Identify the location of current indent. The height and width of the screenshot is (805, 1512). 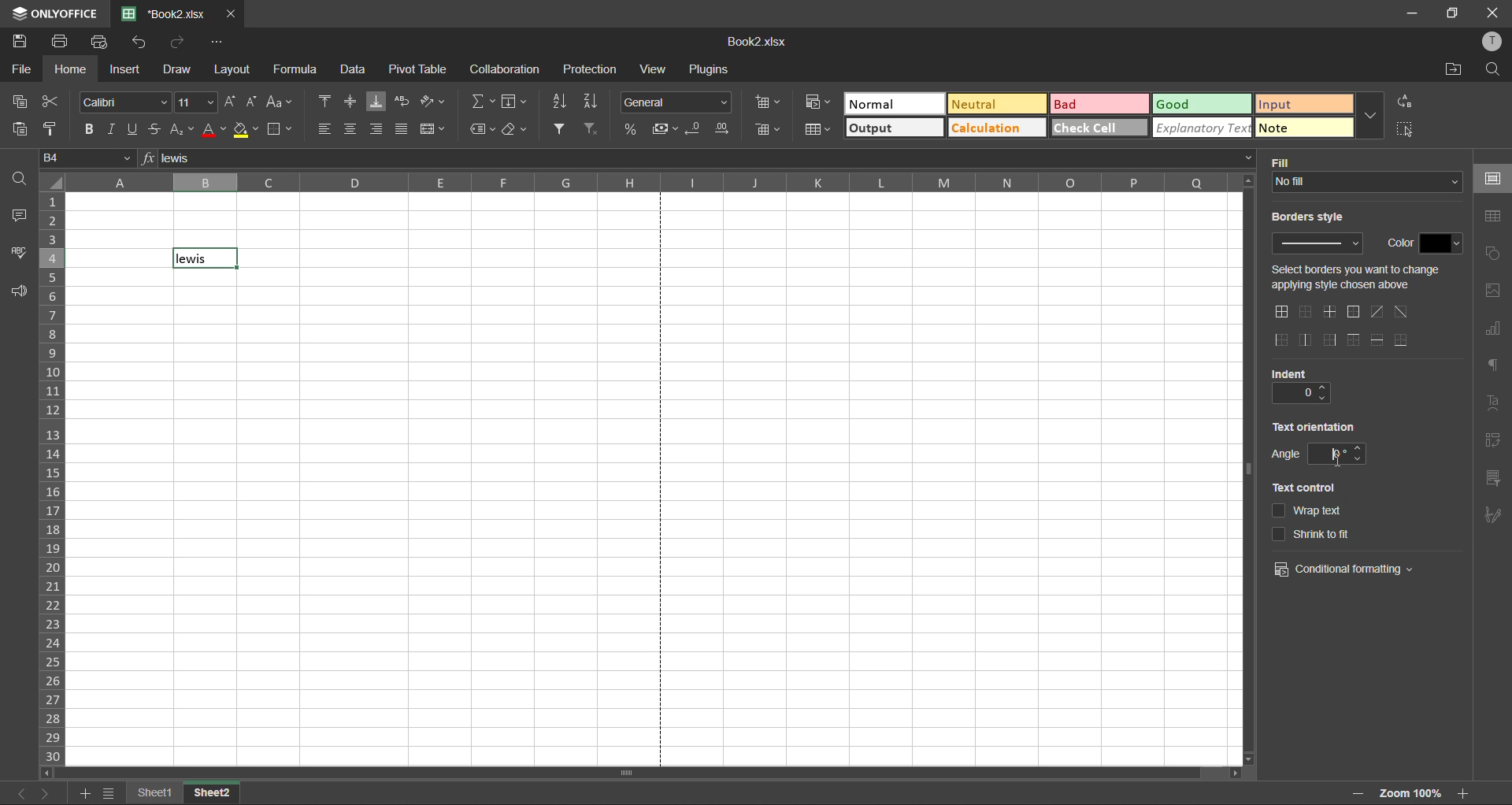
(1293, 394).